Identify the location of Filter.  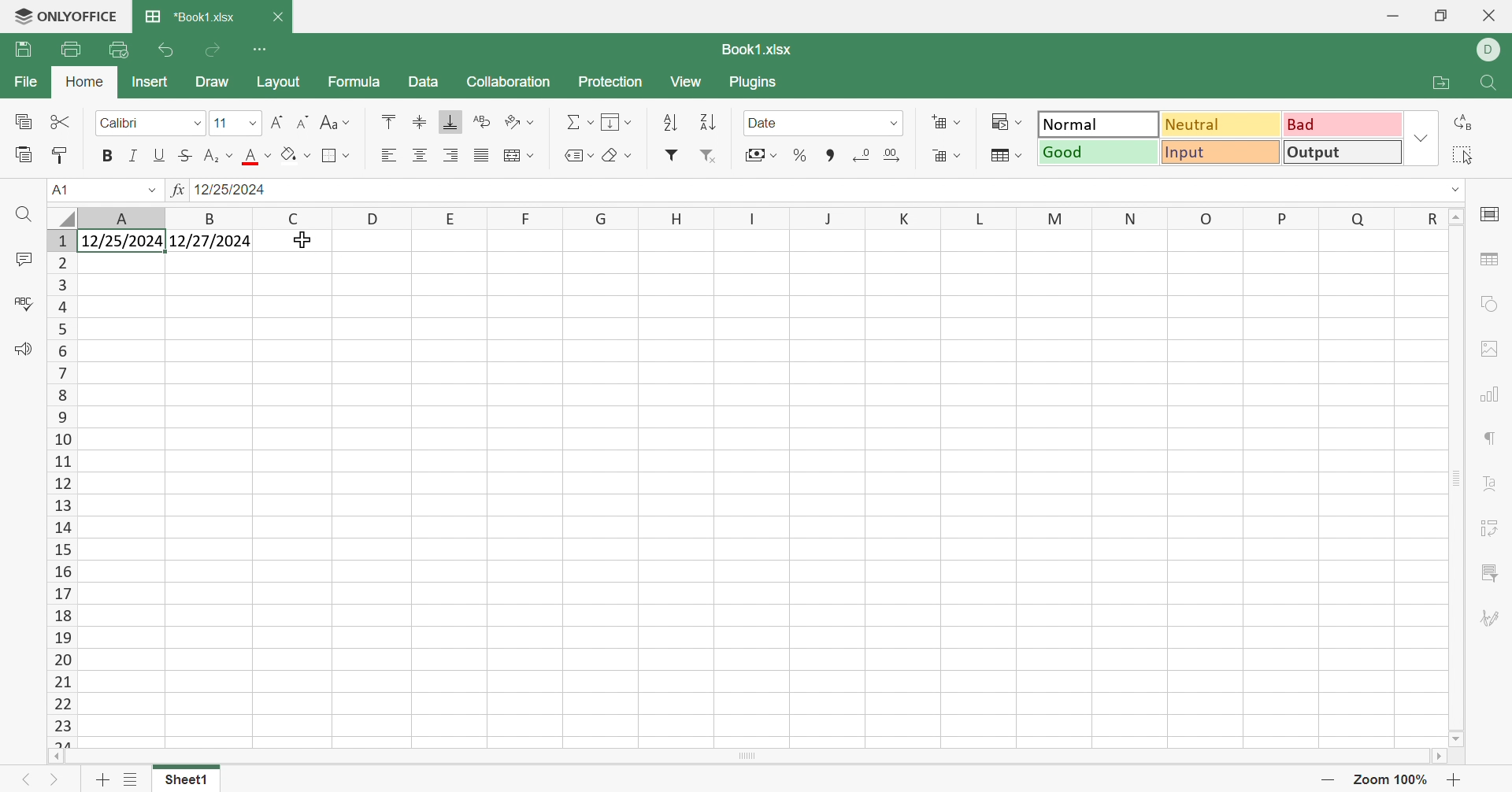
(673, 155).